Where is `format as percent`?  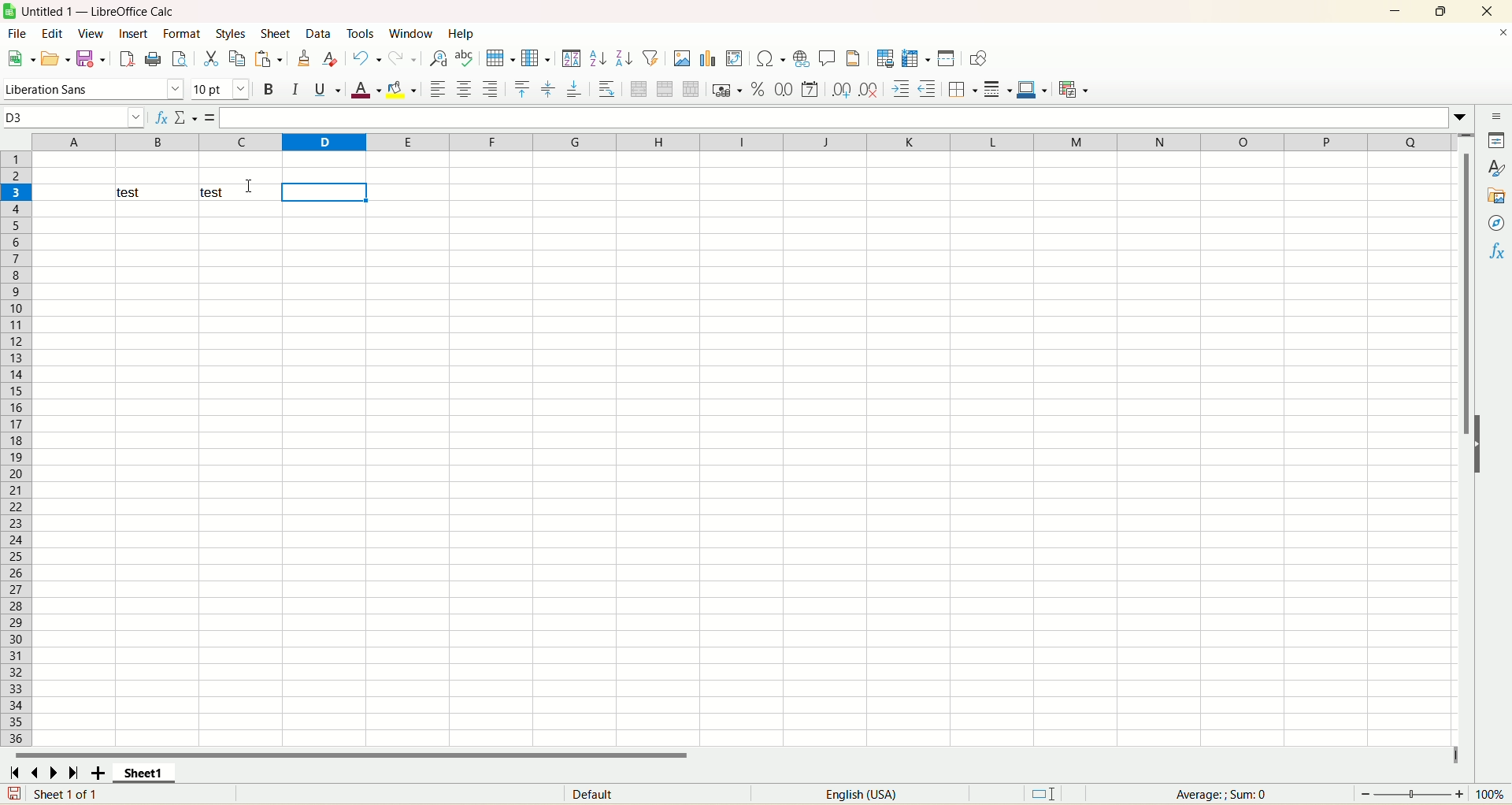
format as percent is located at coordinates (758, 89).